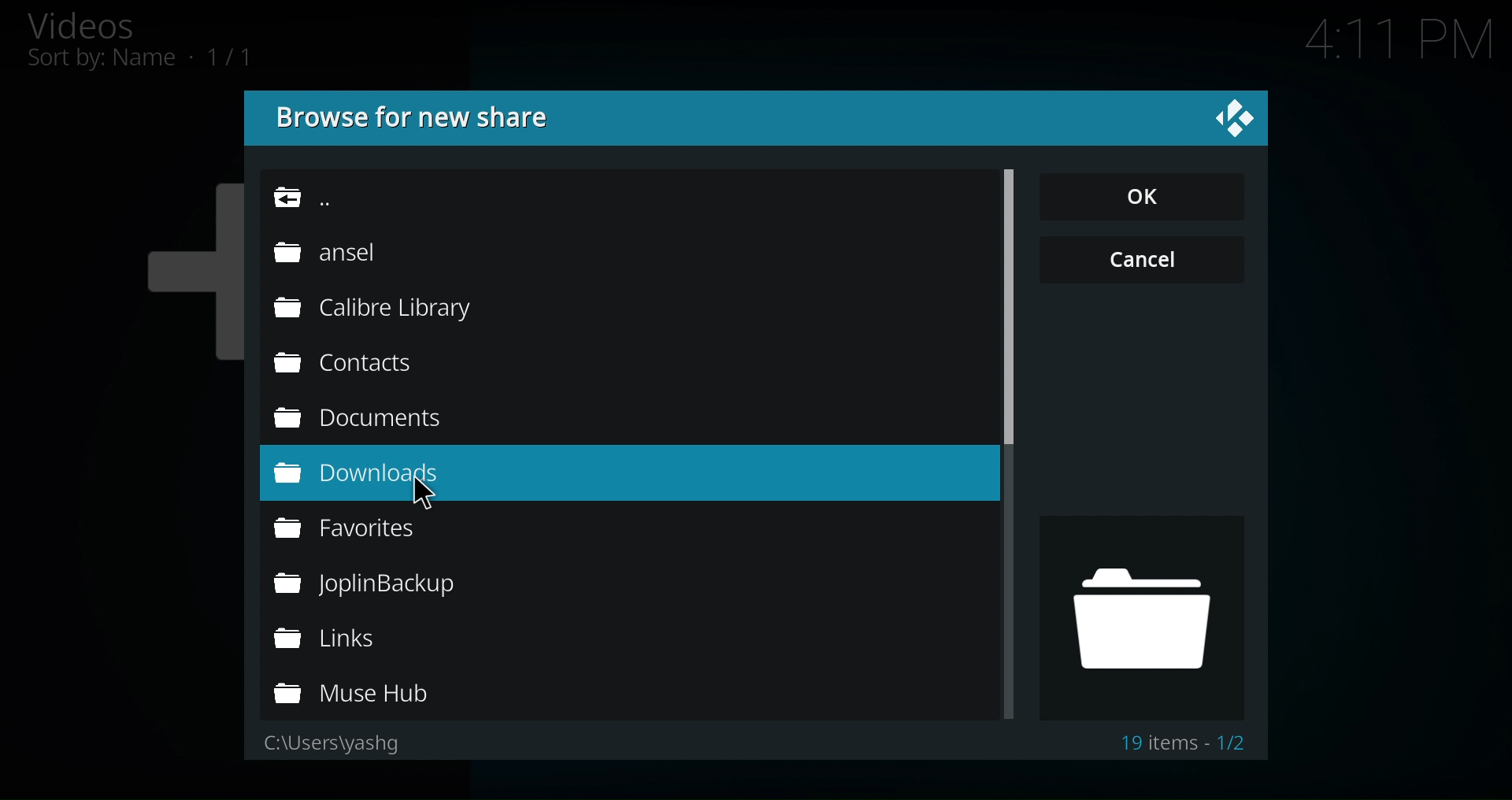 This screenshot has width=1512, height=800. I want to click on Downloads, so click(381, 474).